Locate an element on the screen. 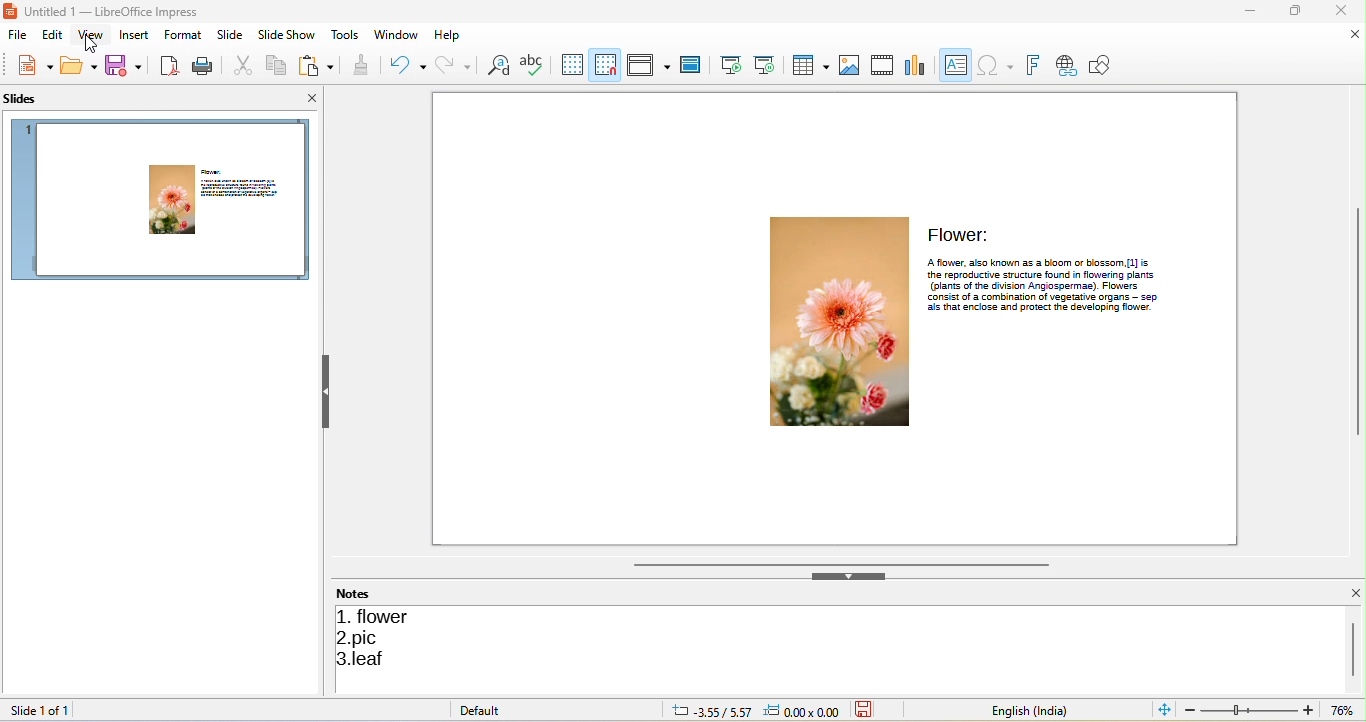 The height and width of the screenshot is (722, 1366). A flower. also known as a bloom or blossom [1] is is located at coordinates (1037, 263).